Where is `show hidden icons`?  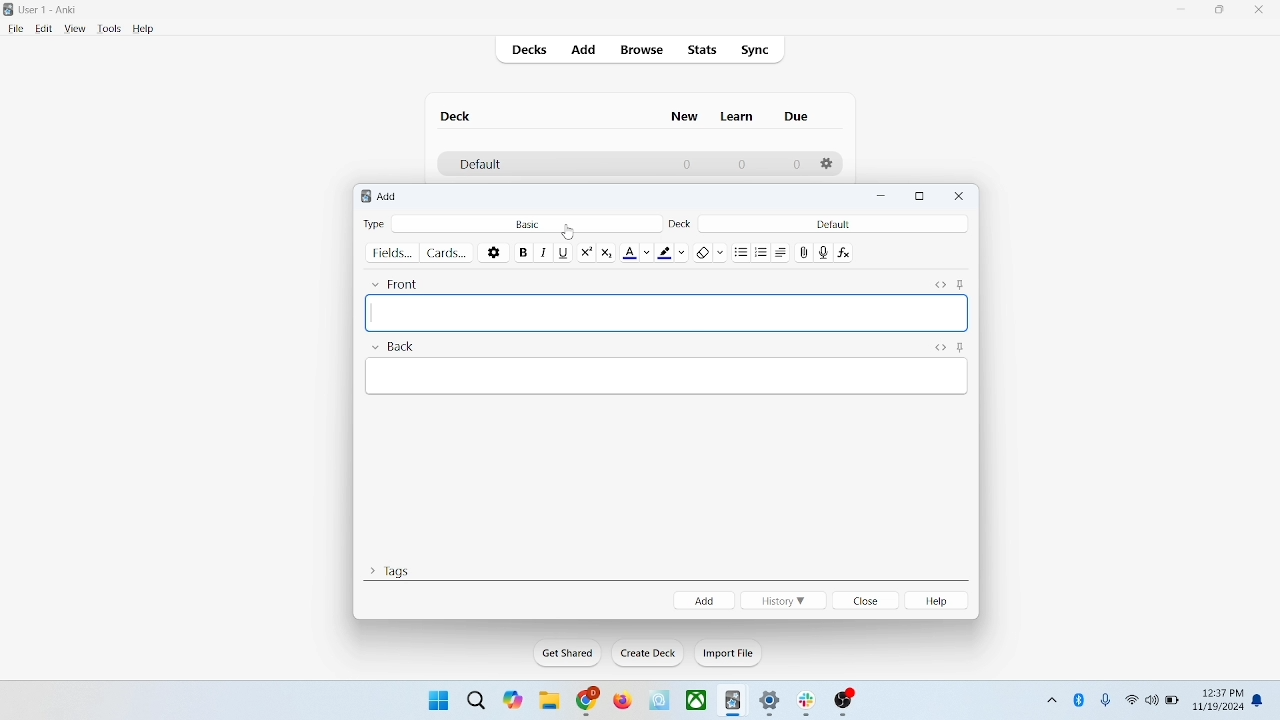 show hidden icons is located at coordinates (1050, 697).